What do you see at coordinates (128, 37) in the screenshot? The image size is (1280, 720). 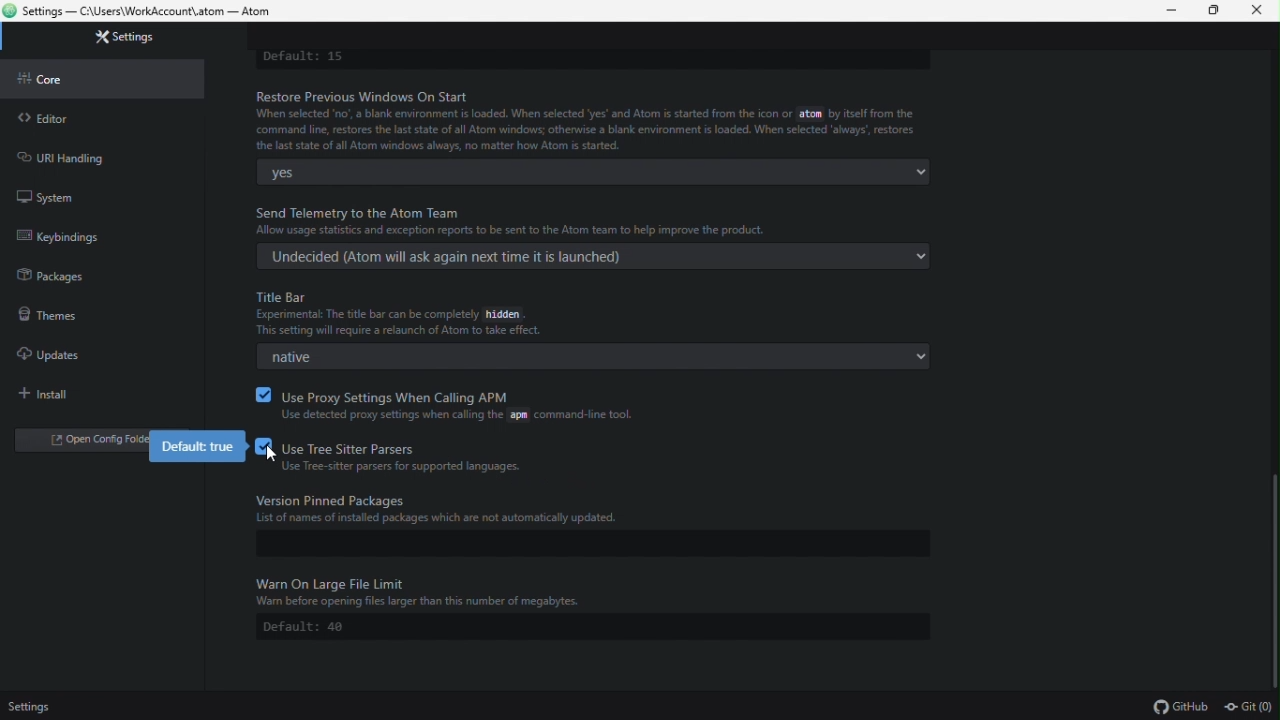 I see `settings` at bounding box center [128, 37].